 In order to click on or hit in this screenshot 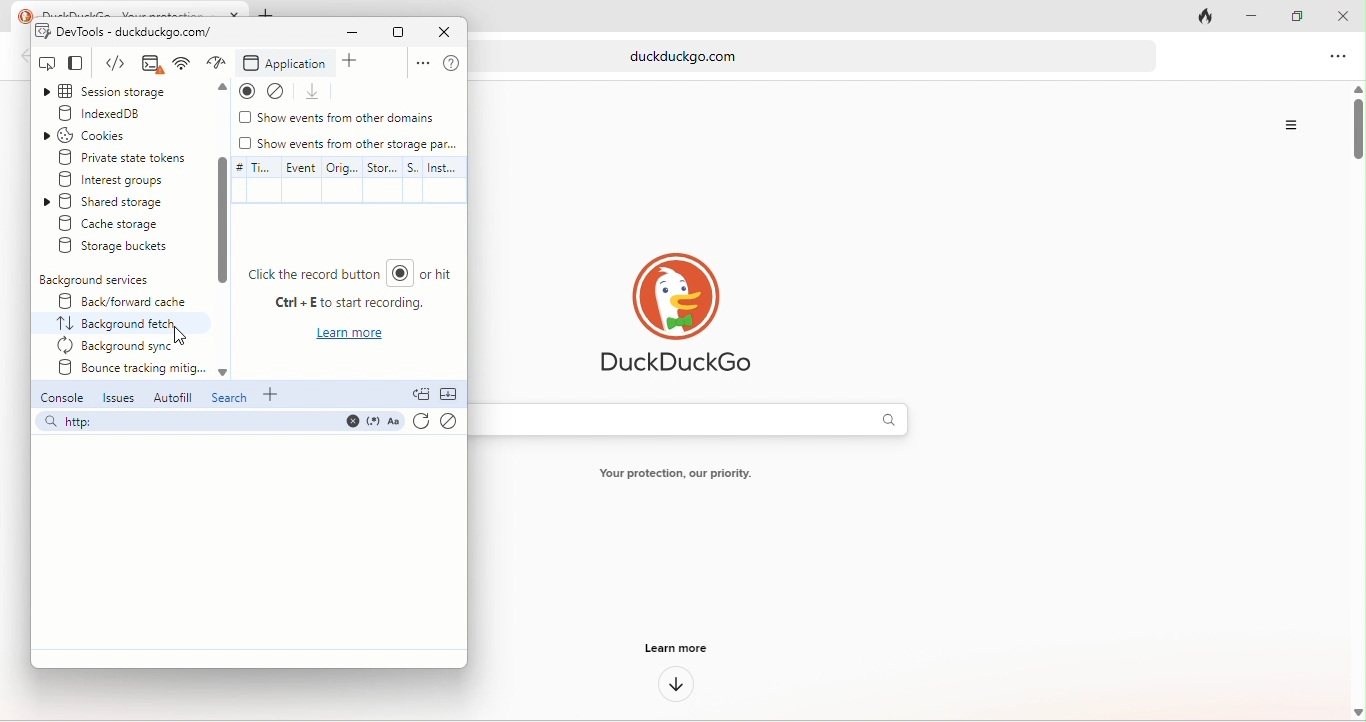, I will do `click(445, 279)`.